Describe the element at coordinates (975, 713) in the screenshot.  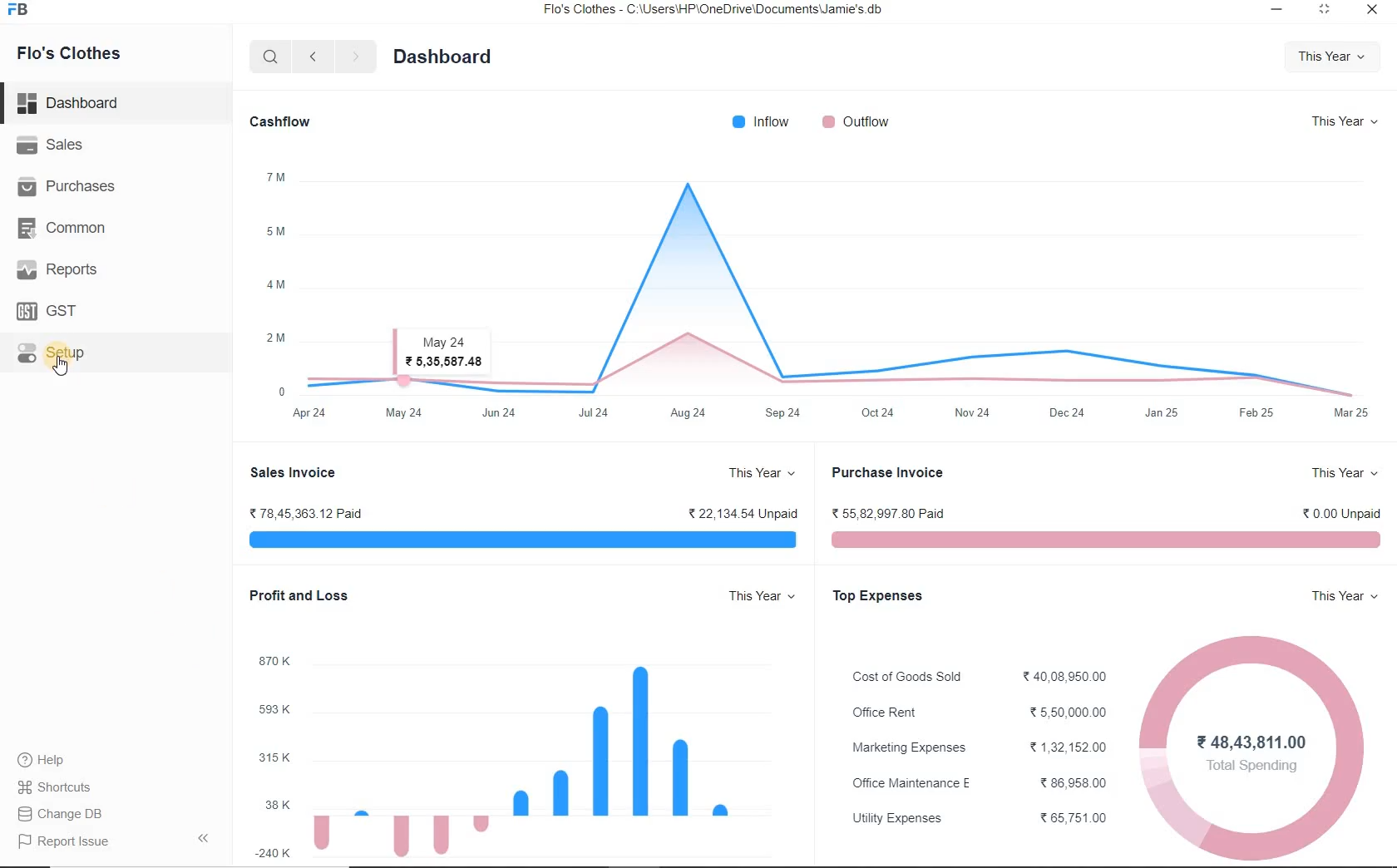
I see `Office Rent 5,50,000.00` at that location.